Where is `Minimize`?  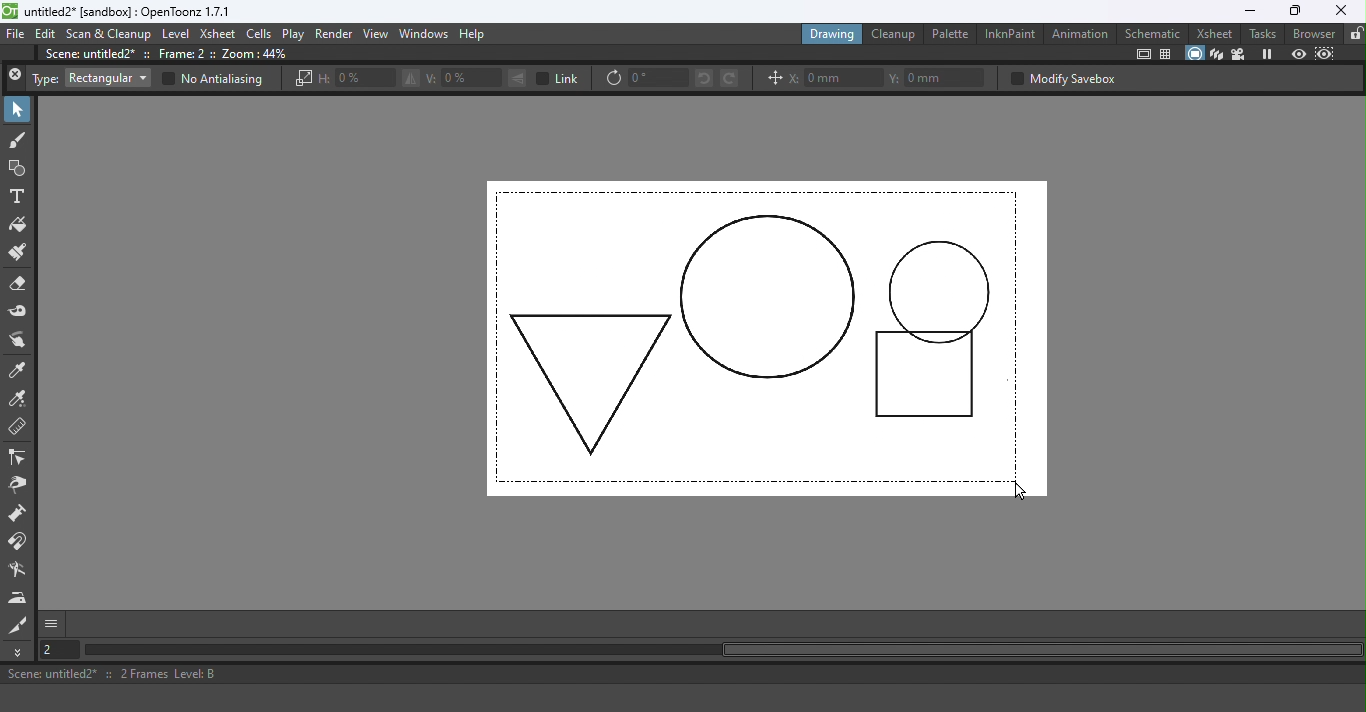
Minimize is located at coordinates (1243, 11).